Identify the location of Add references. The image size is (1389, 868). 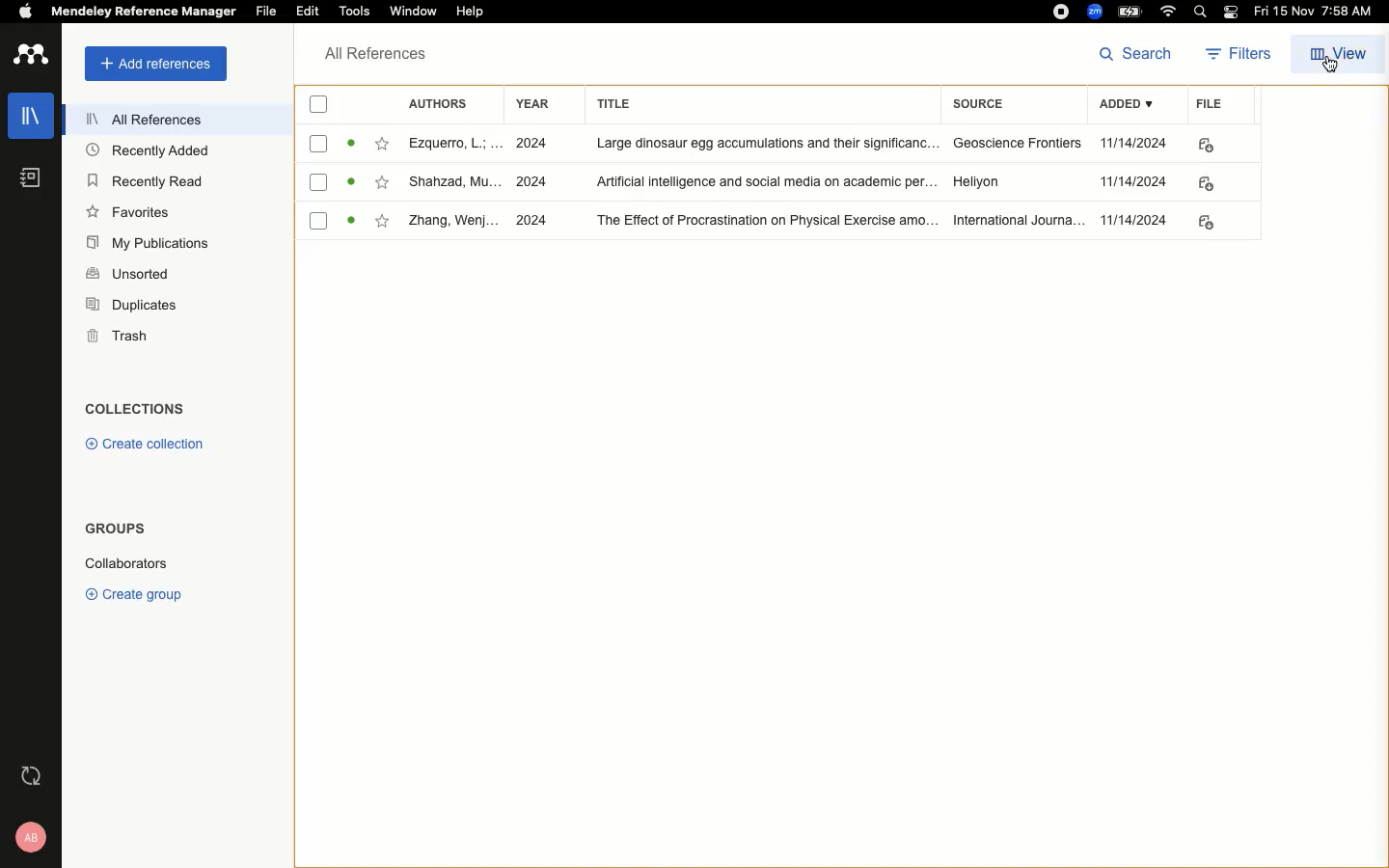
(150, 65).